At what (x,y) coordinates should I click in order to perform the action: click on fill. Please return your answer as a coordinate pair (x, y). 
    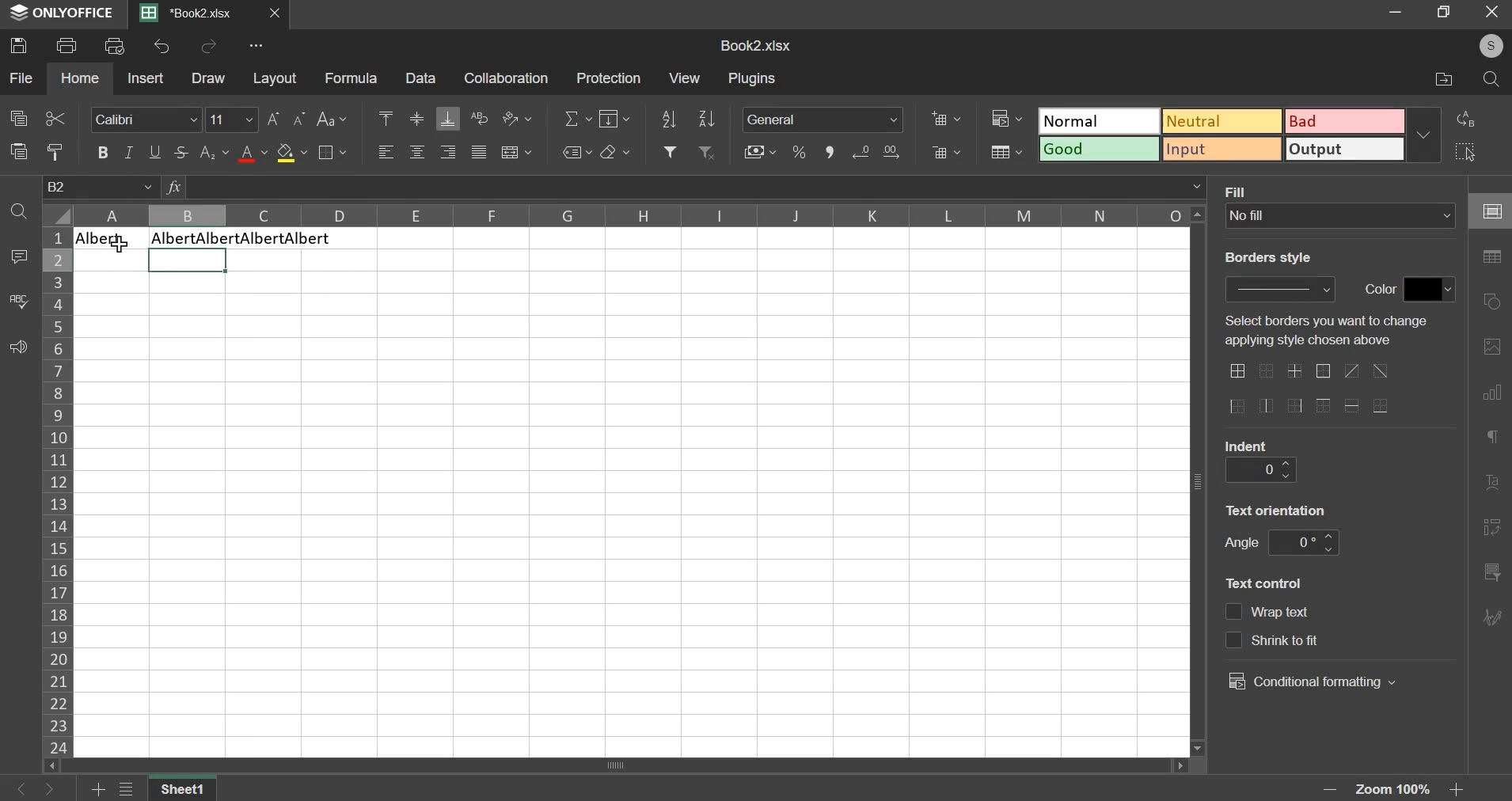
    Looking at the image, I should click on (614, 119).